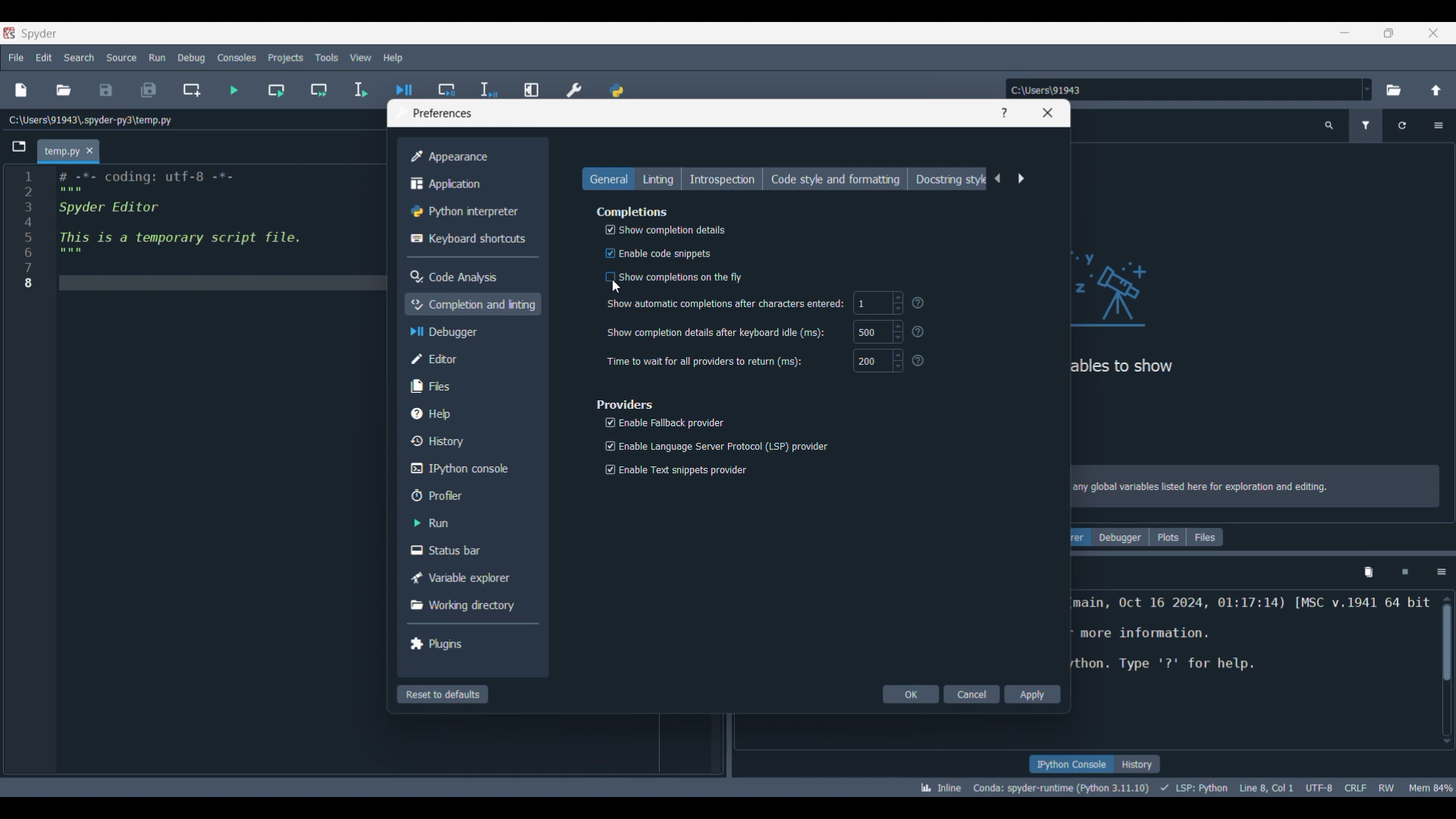  Describe the element at coordinates (1441, 573) in the screenshot. I see `Options` at that location.